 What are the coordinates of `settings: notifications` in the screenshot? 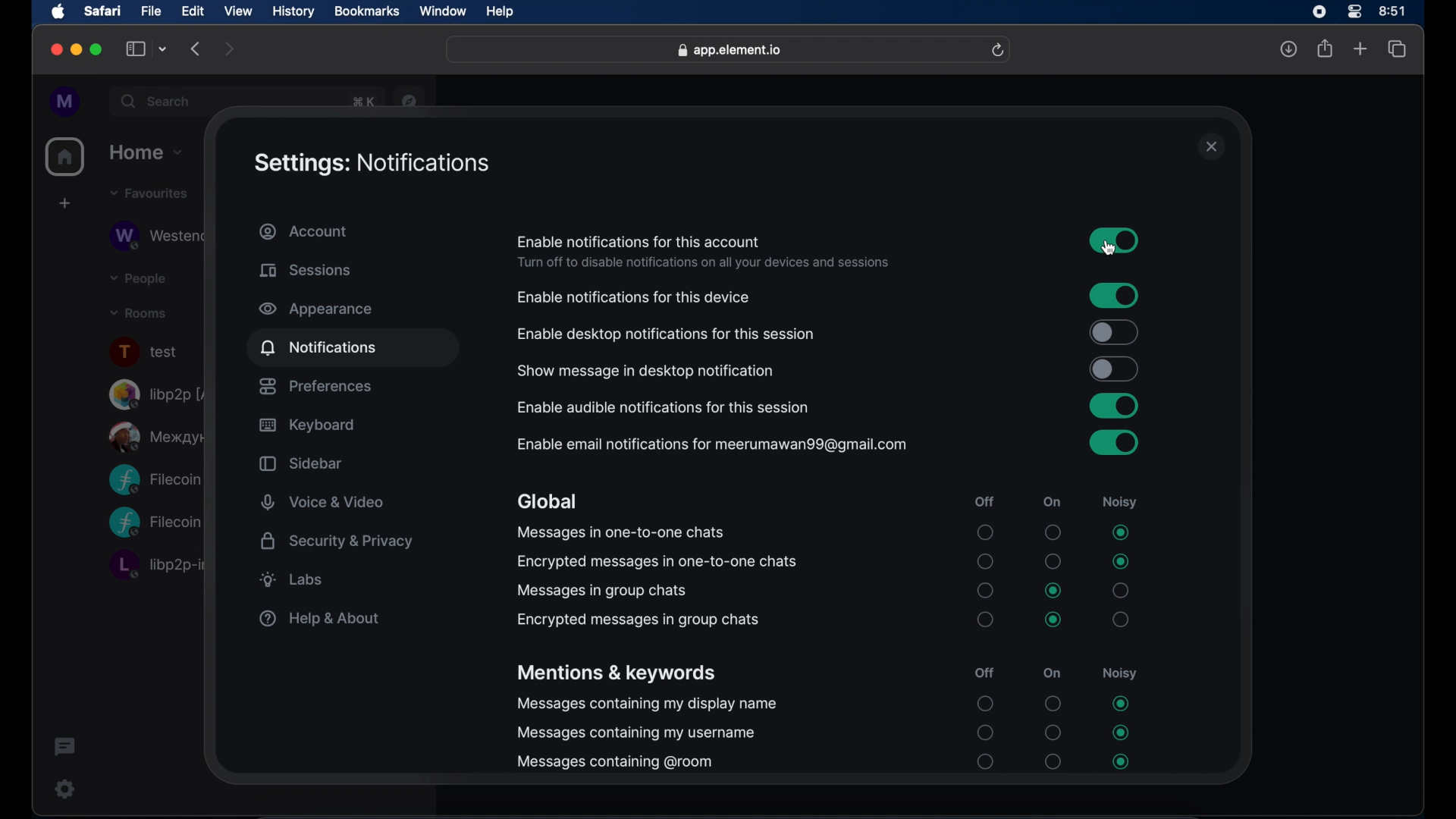 It's located at (374, 165).